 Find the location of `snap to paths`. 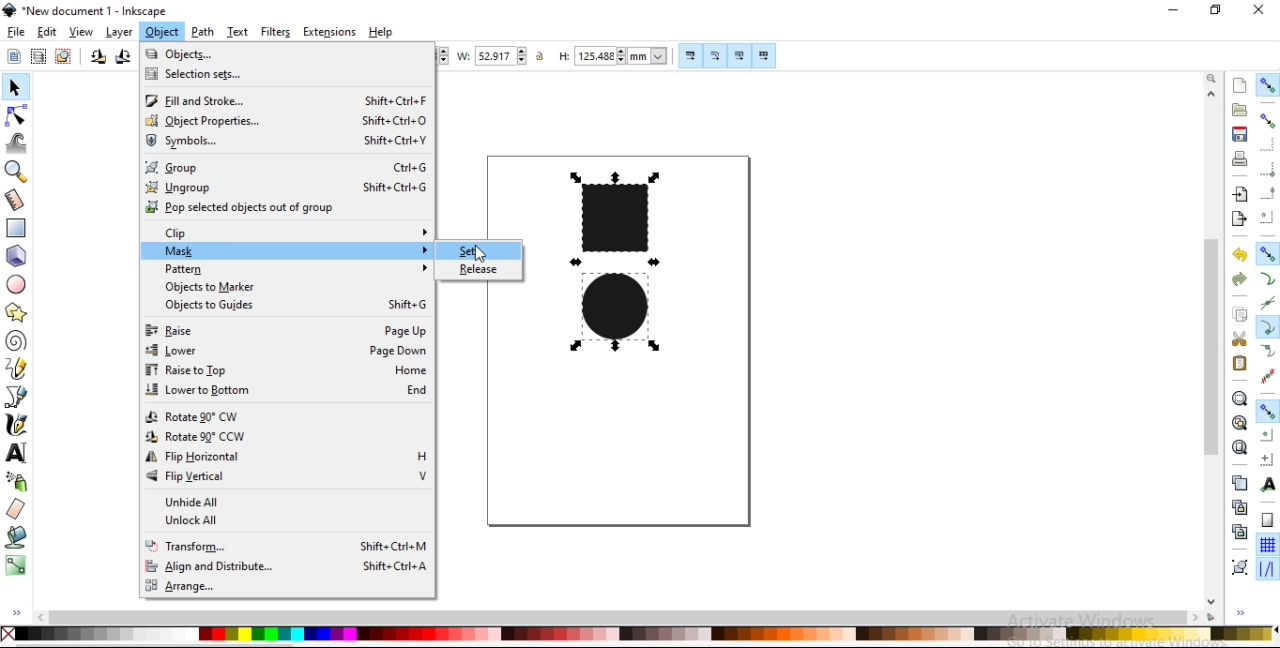

snap to paths is located at coordinates (1268, 277).